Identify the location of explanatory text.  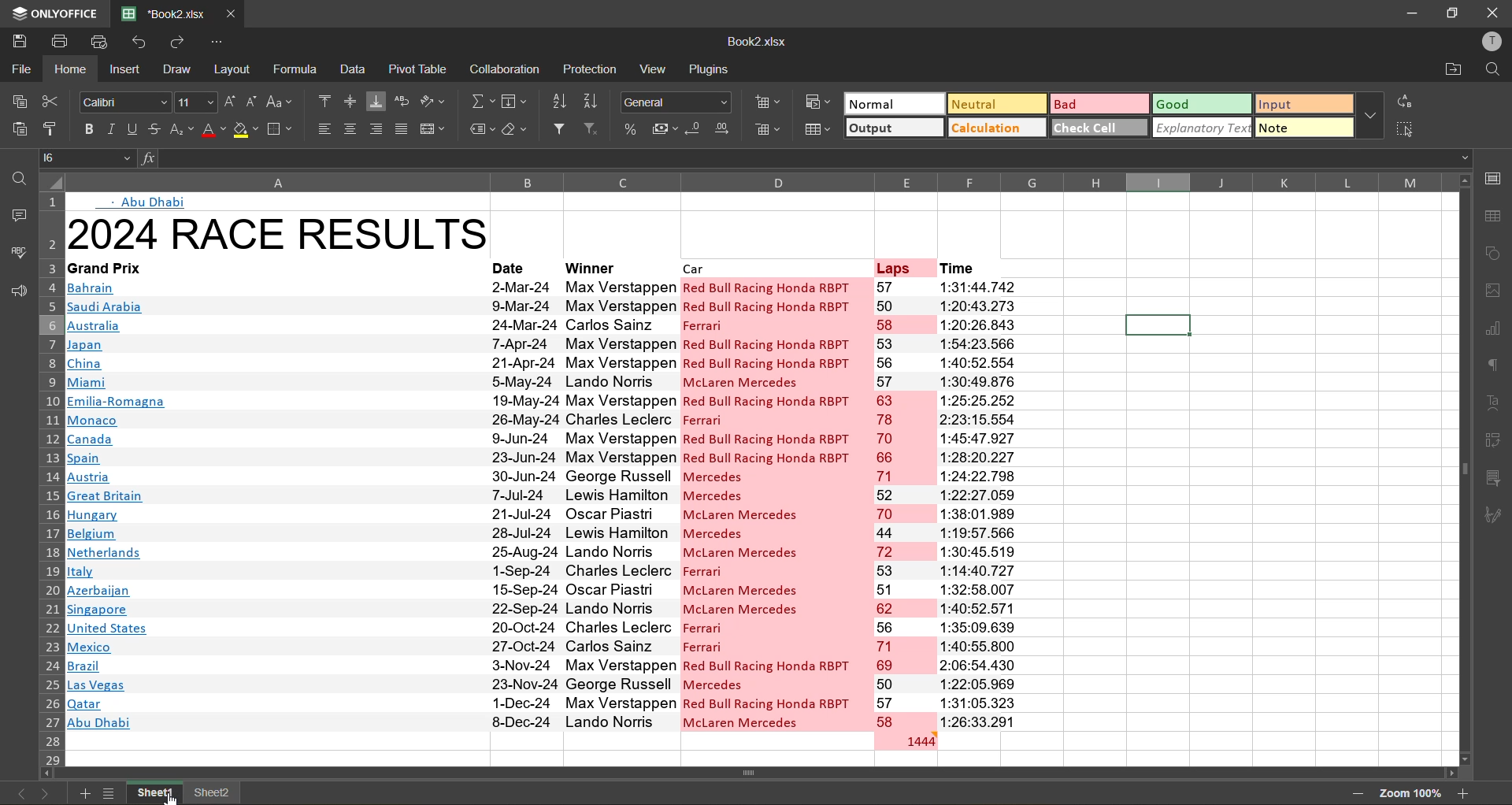
(1199, 128).